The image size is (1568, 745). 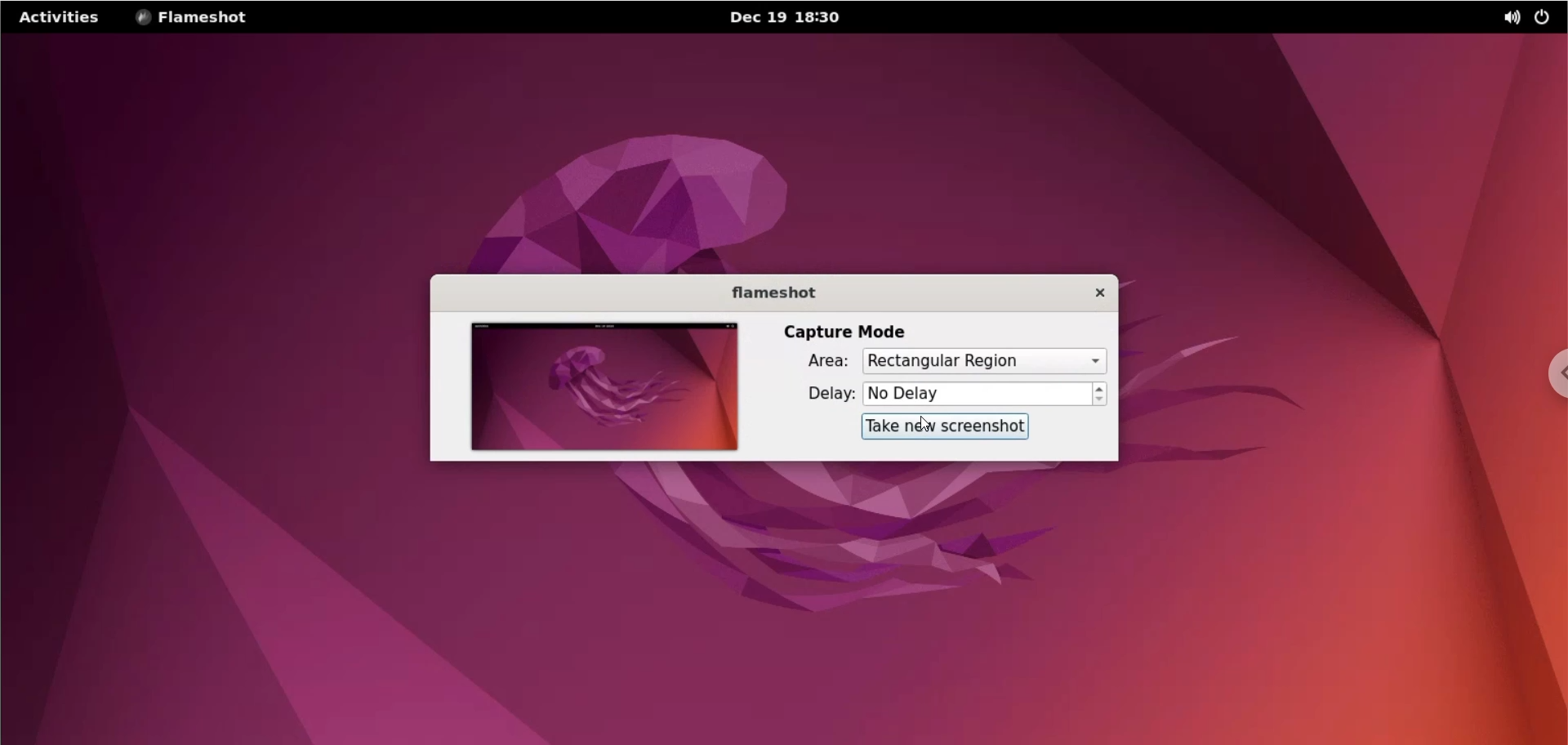 What do you see at coordinates (923, 422) in the screenshot?
I see `cursor` at bounding box center [923, 422].